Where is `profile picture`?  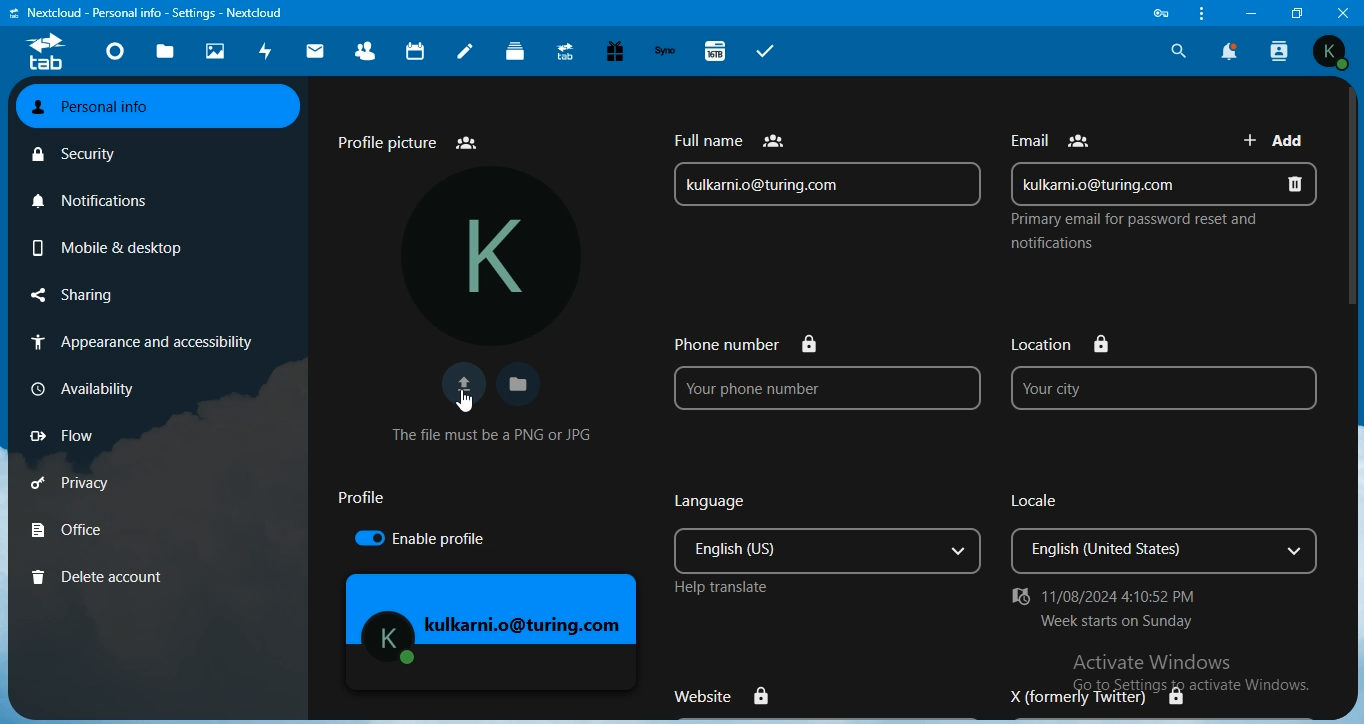
profile picture is located at coordinates (477, 242).